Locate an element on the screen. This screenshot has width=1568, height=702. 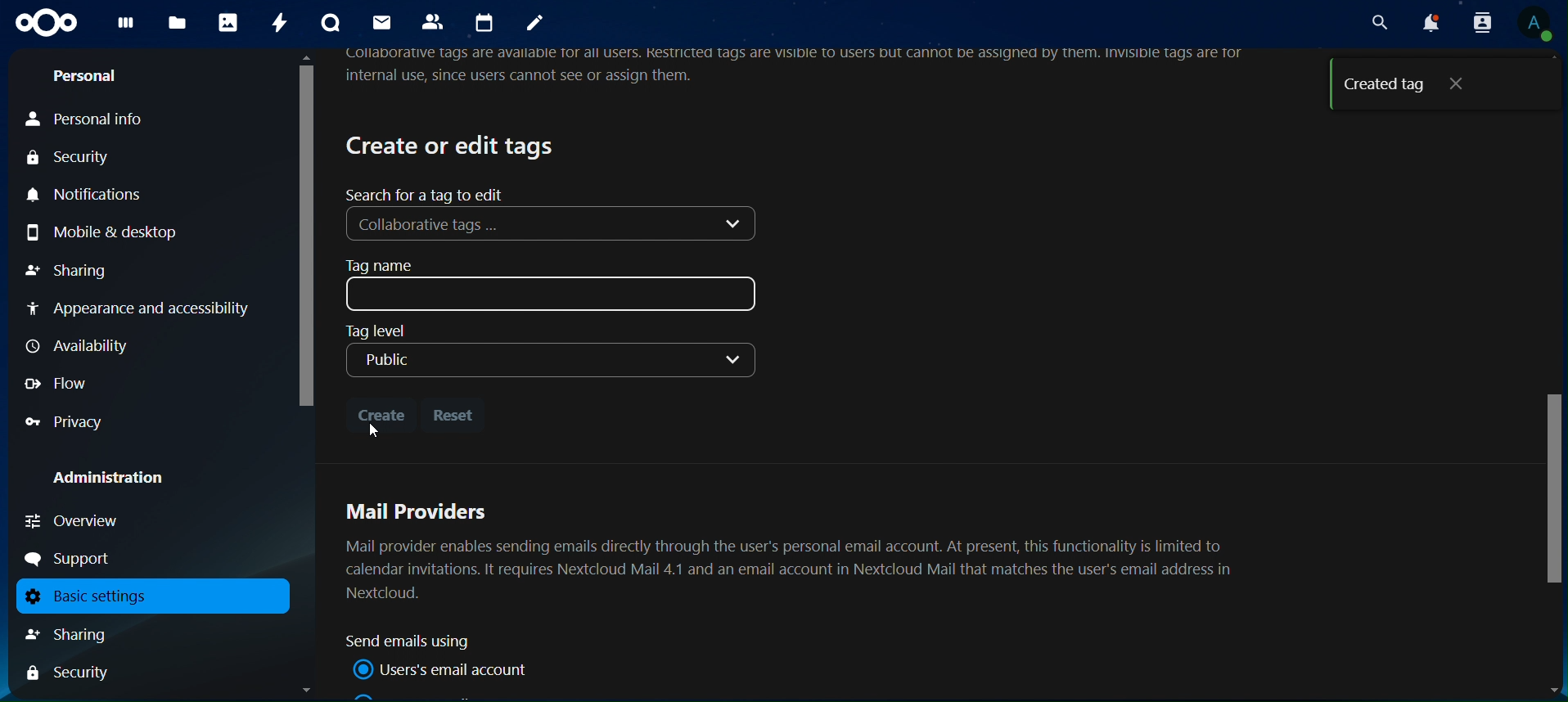
sharing is located at coordinates (85, 634).